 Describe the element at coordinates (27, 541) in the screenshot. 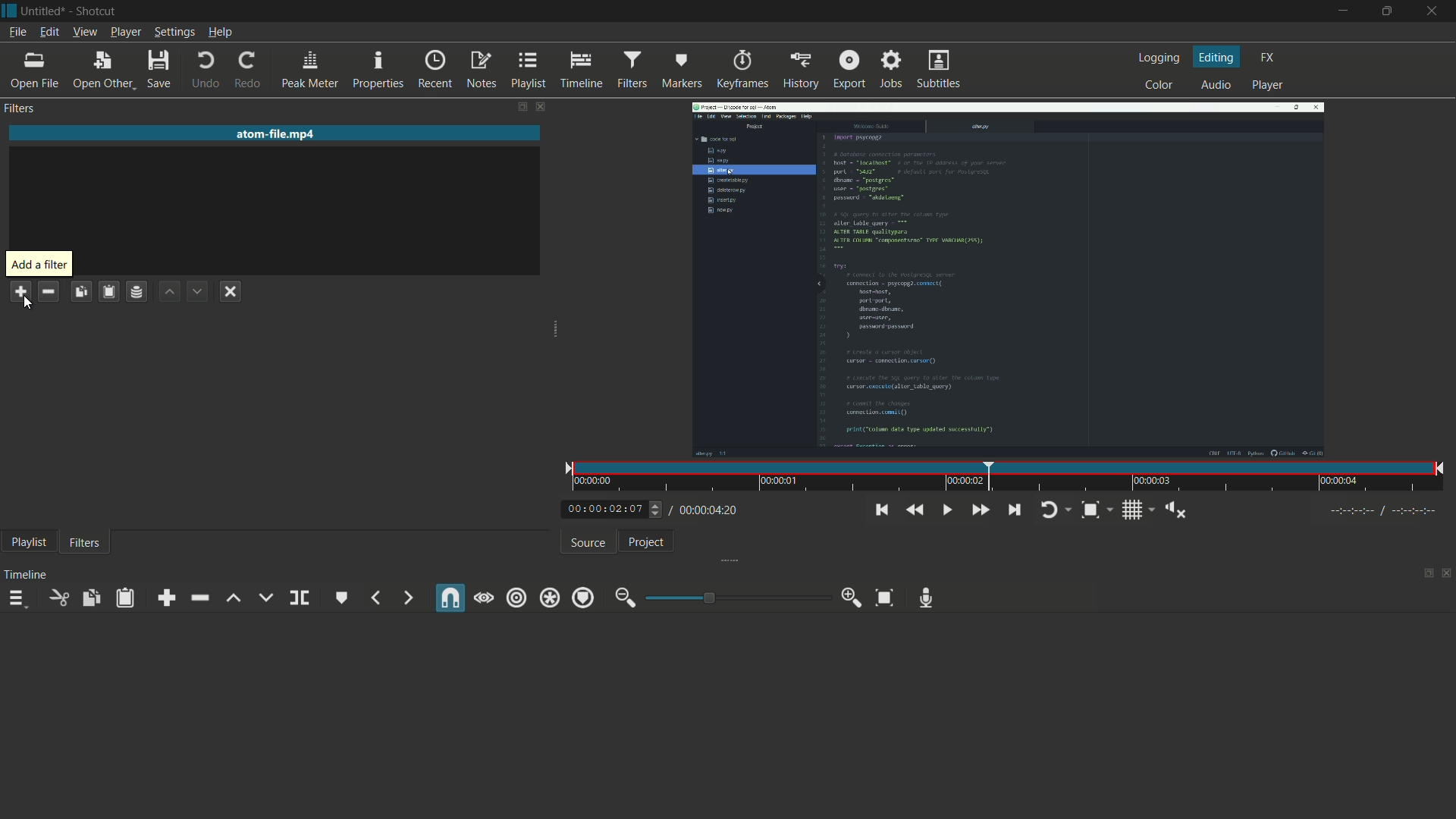

I see `playlist` at that location.